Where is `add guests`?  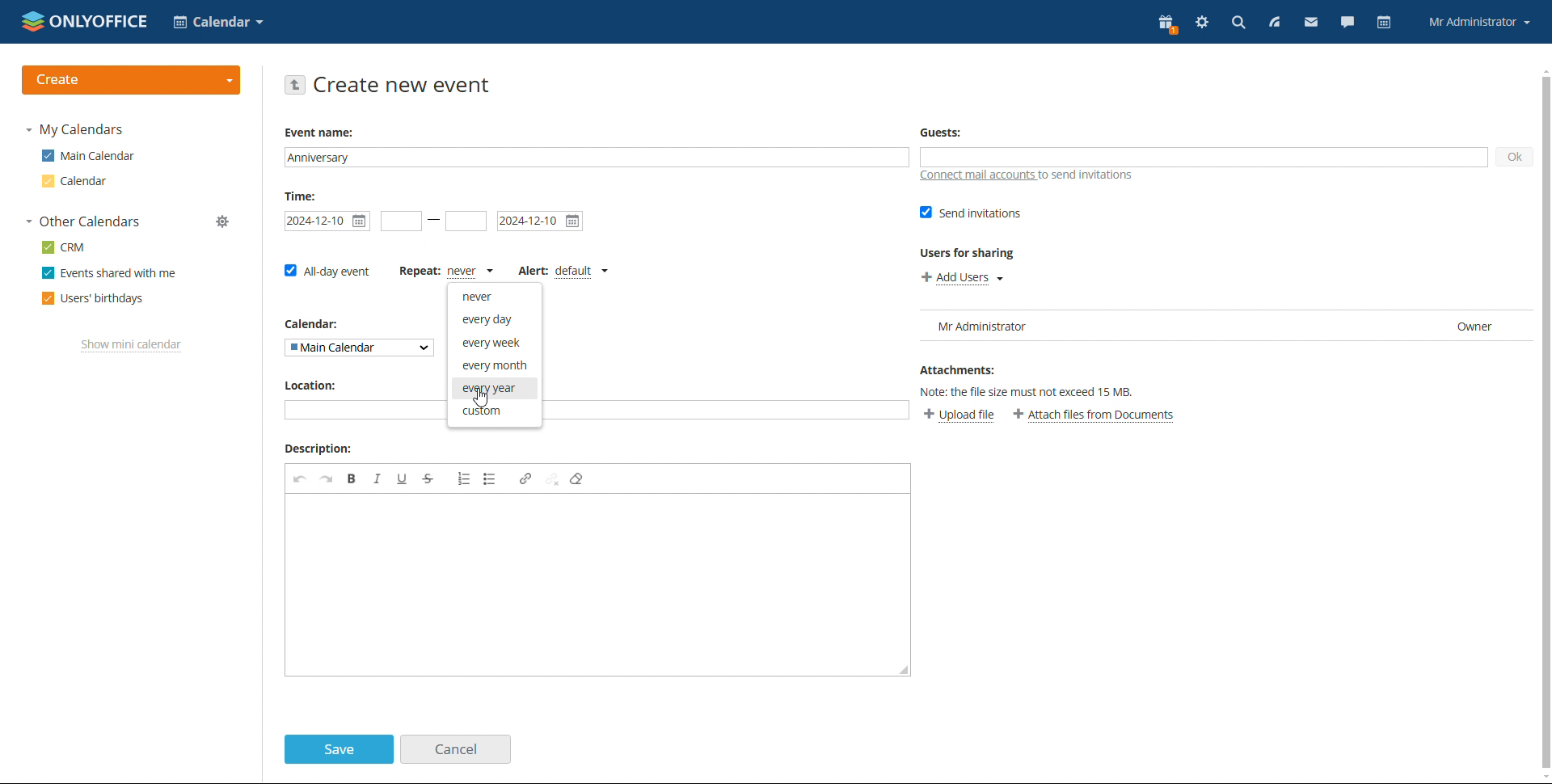
add guests is located at coordinates (1204, 158).